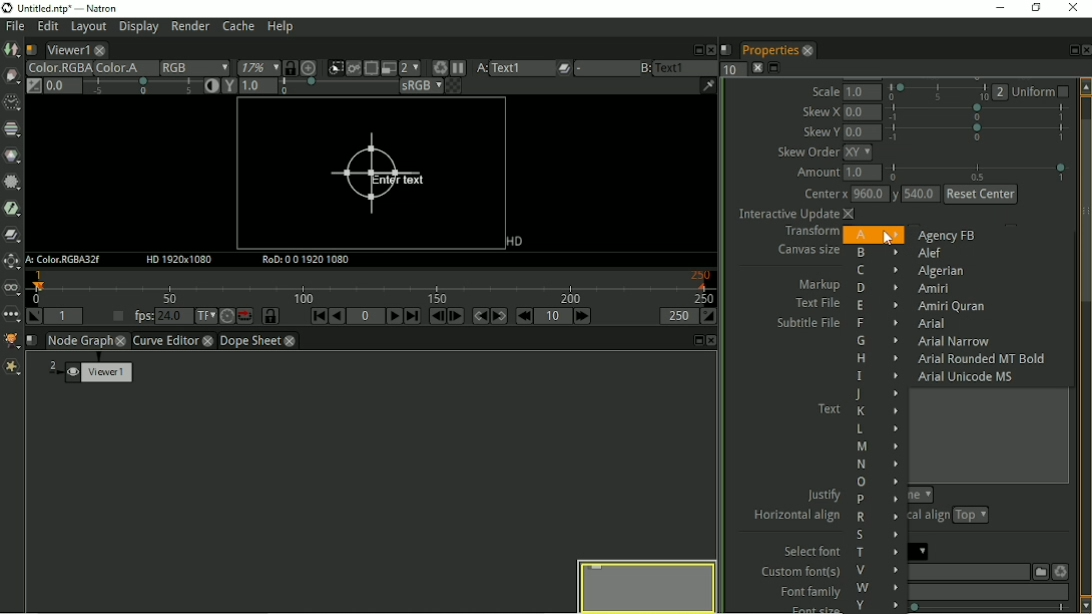 The height and width of the screenshot is (614, 1092). Describe the element at coordinates (512, 242) in the screenshot. I see `HD` at that location.